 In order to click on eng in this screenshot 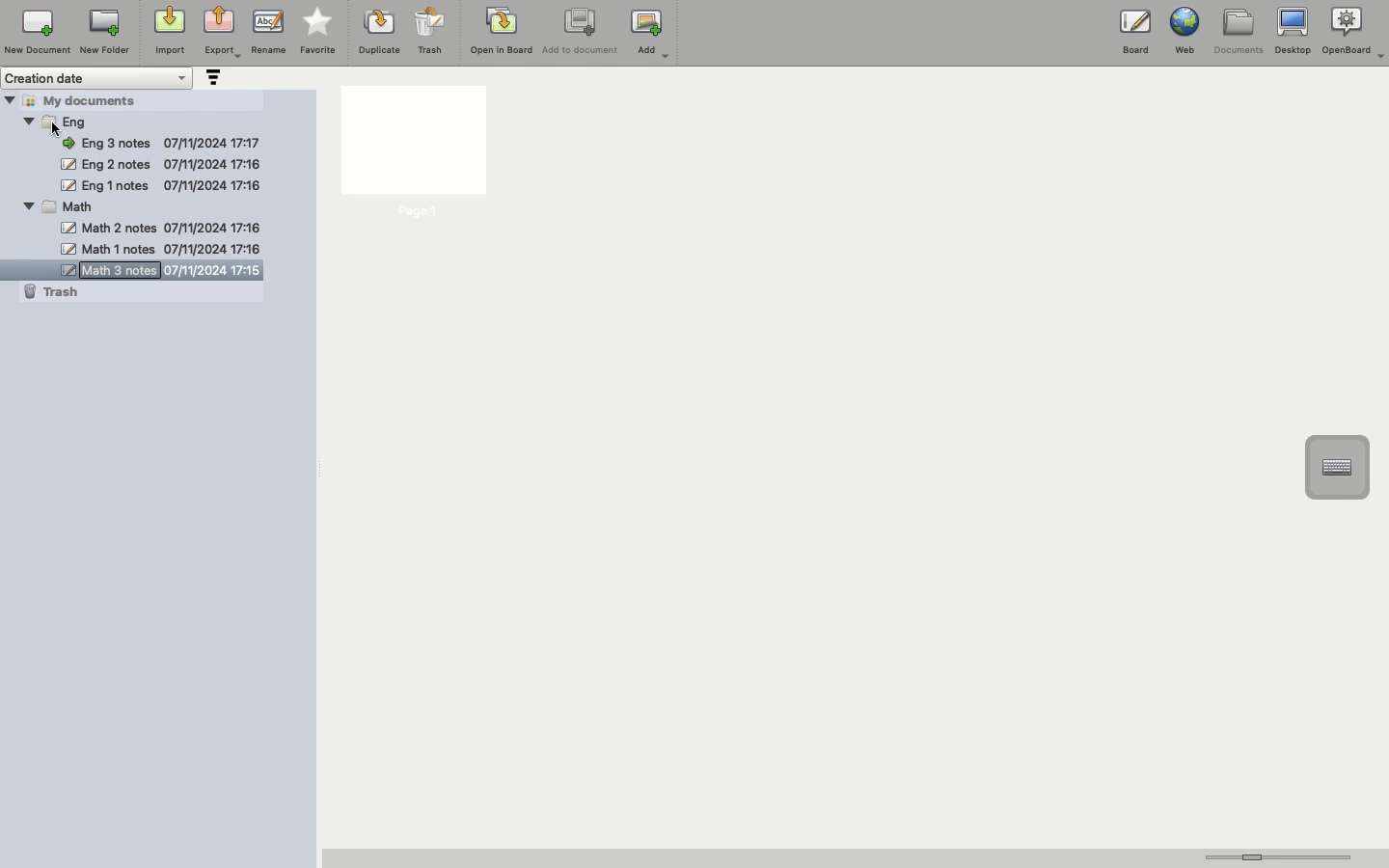, I will do `click(158, 185)`.